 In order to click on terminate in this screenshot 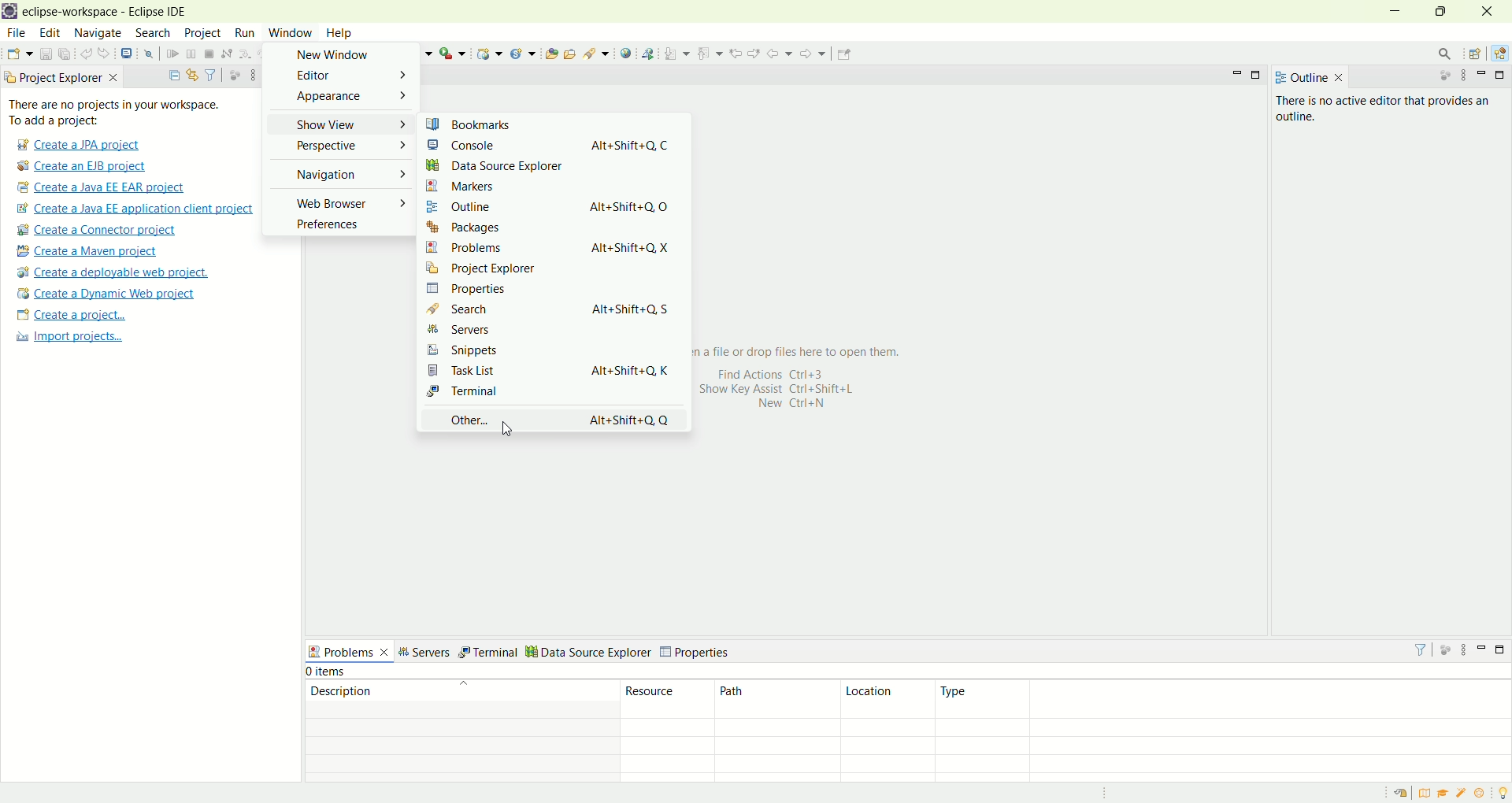, I will do `click(209, 53)`.